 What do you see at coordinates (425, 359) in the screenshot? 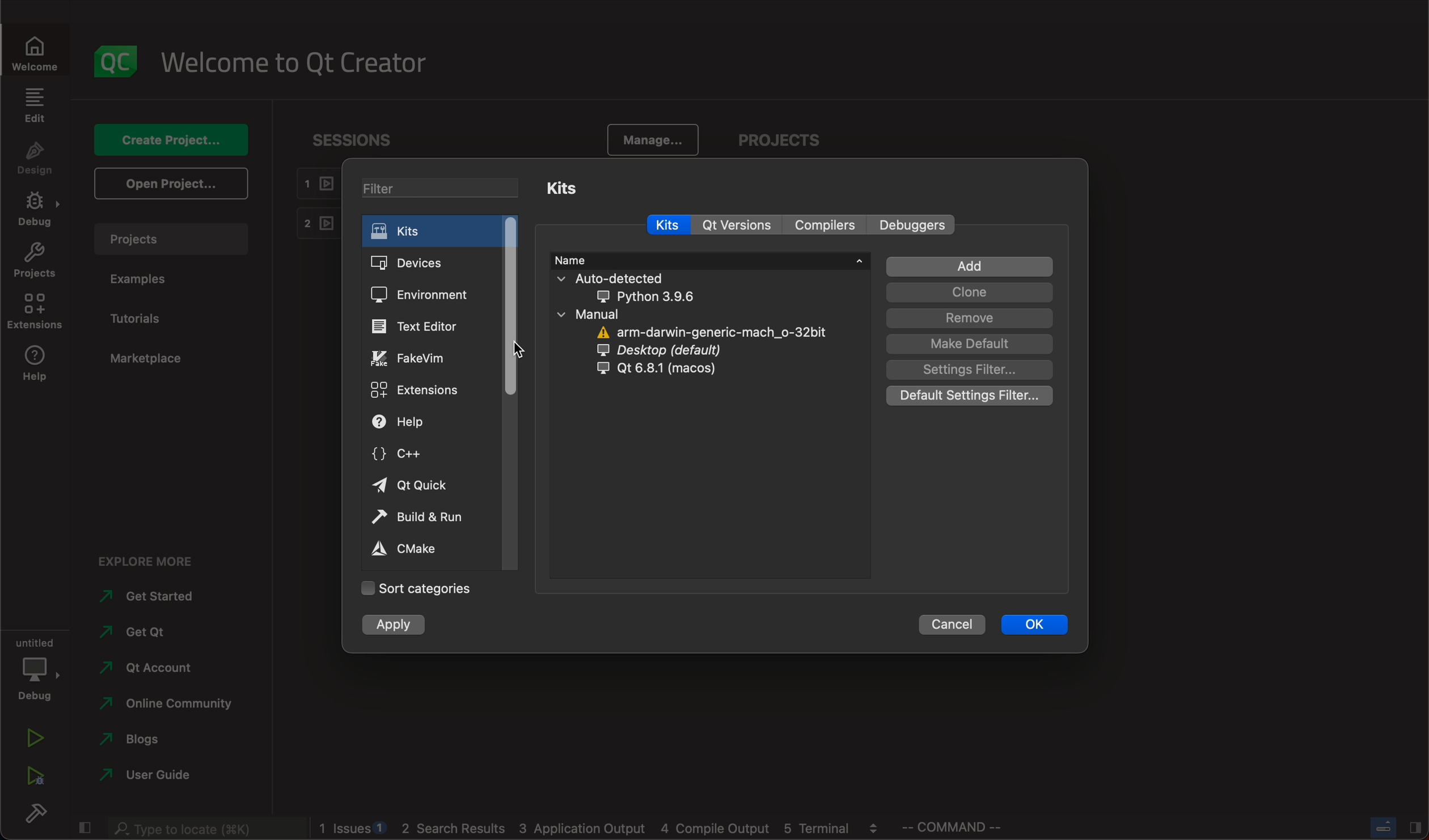
I see `fake vim` at bounding box center [425, 359].